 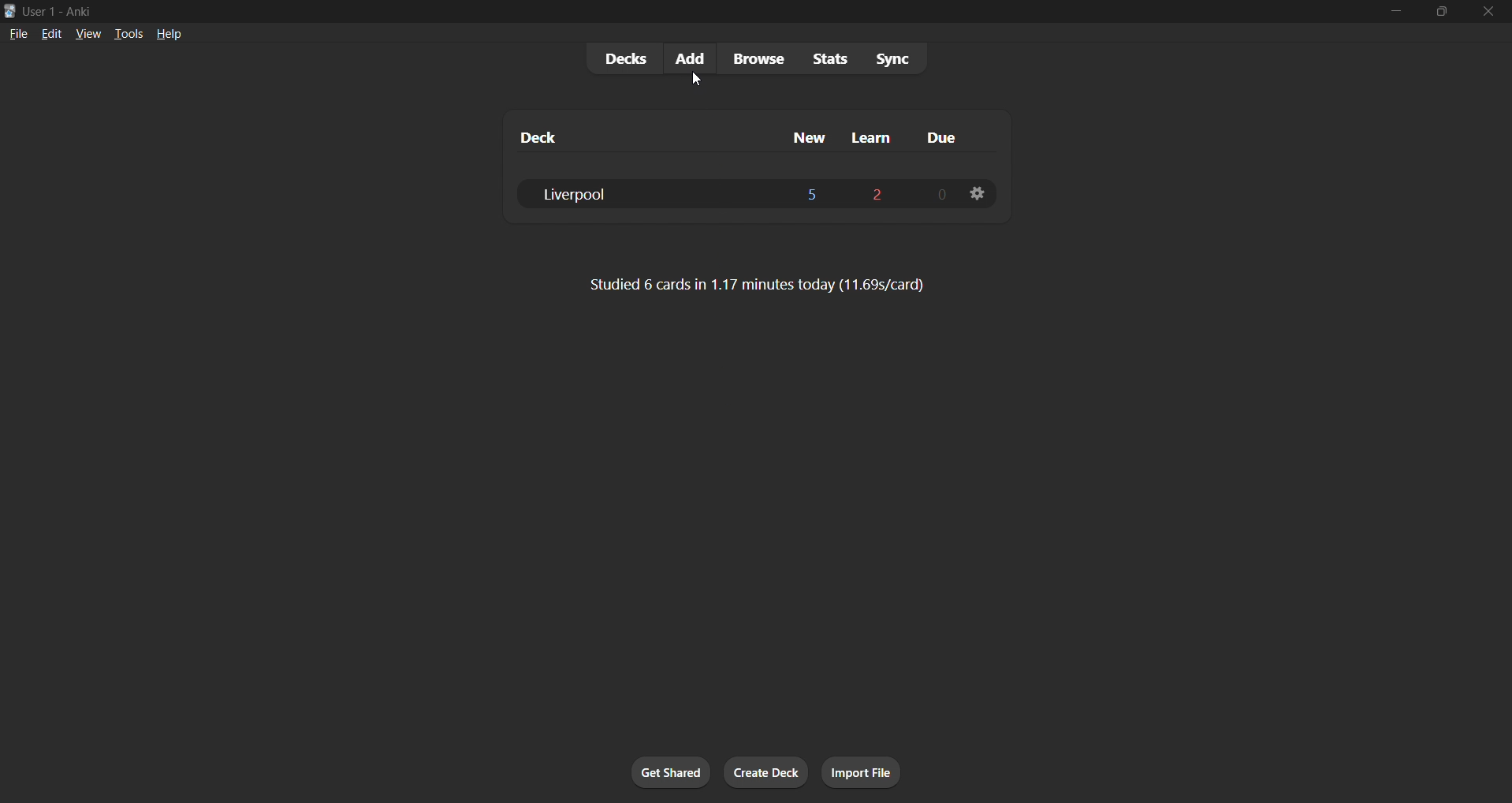 What do you see at coordinates (808, 136) in the screenshot?
I see `new cards column` at bounding box center [808, 136].